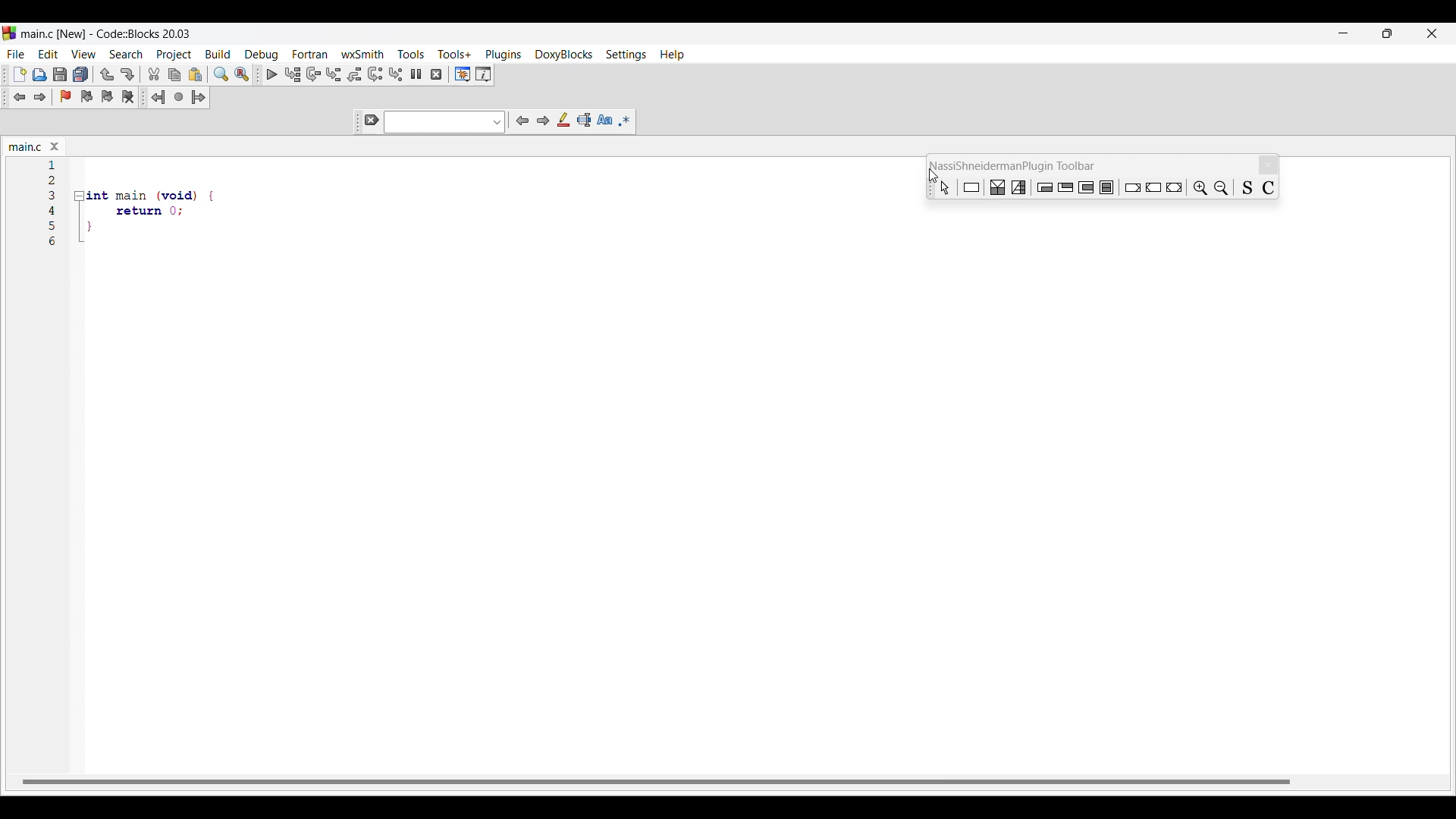 The width and height of the screenshot is (1456, 819). What do you see at coordinates (672, 55) in the screenshot?
I see `Help menu` at bounding box center [672, 55].